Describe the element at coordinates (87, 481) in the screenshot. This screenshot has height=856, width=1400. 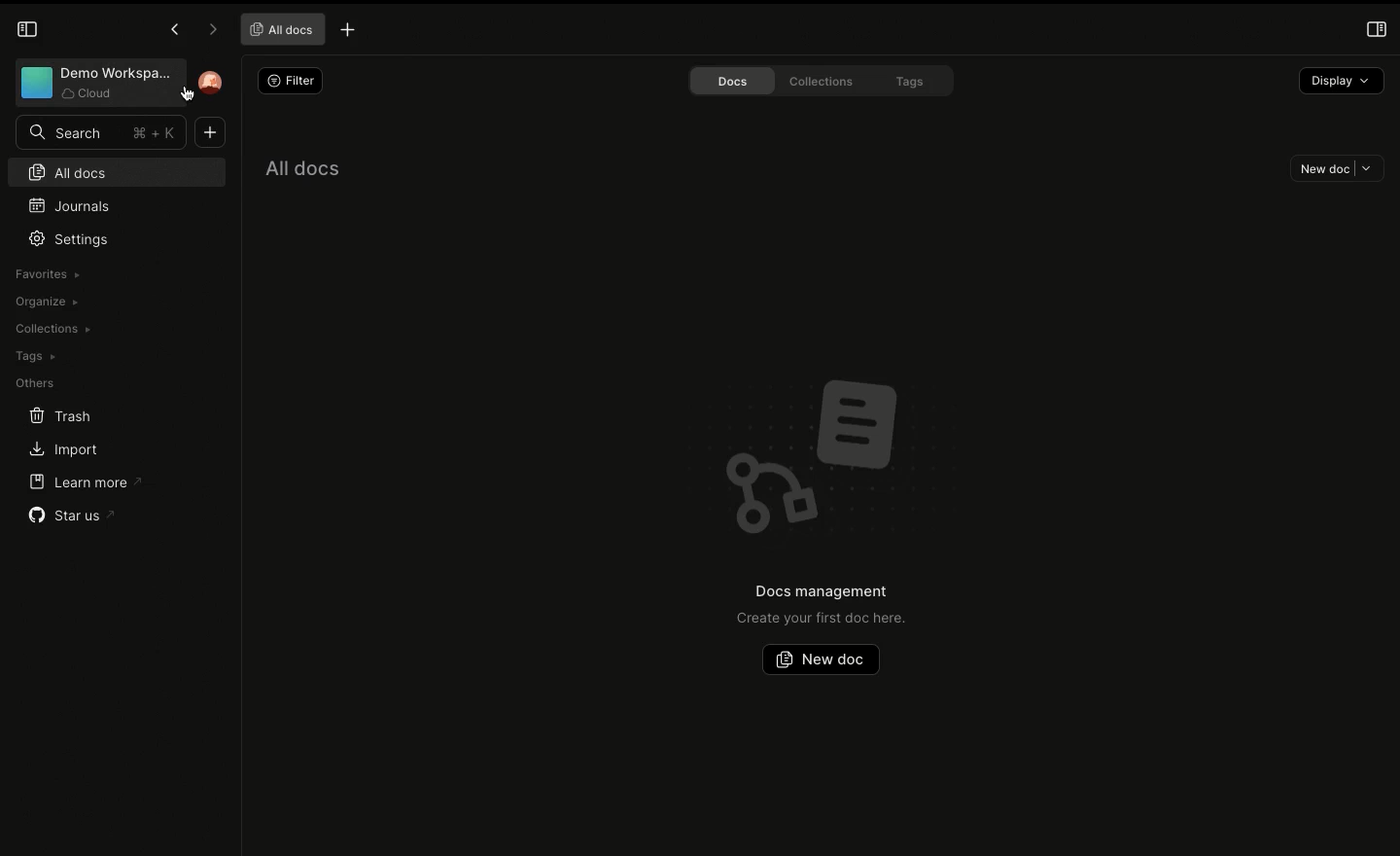
I see `Learn more` at that location.